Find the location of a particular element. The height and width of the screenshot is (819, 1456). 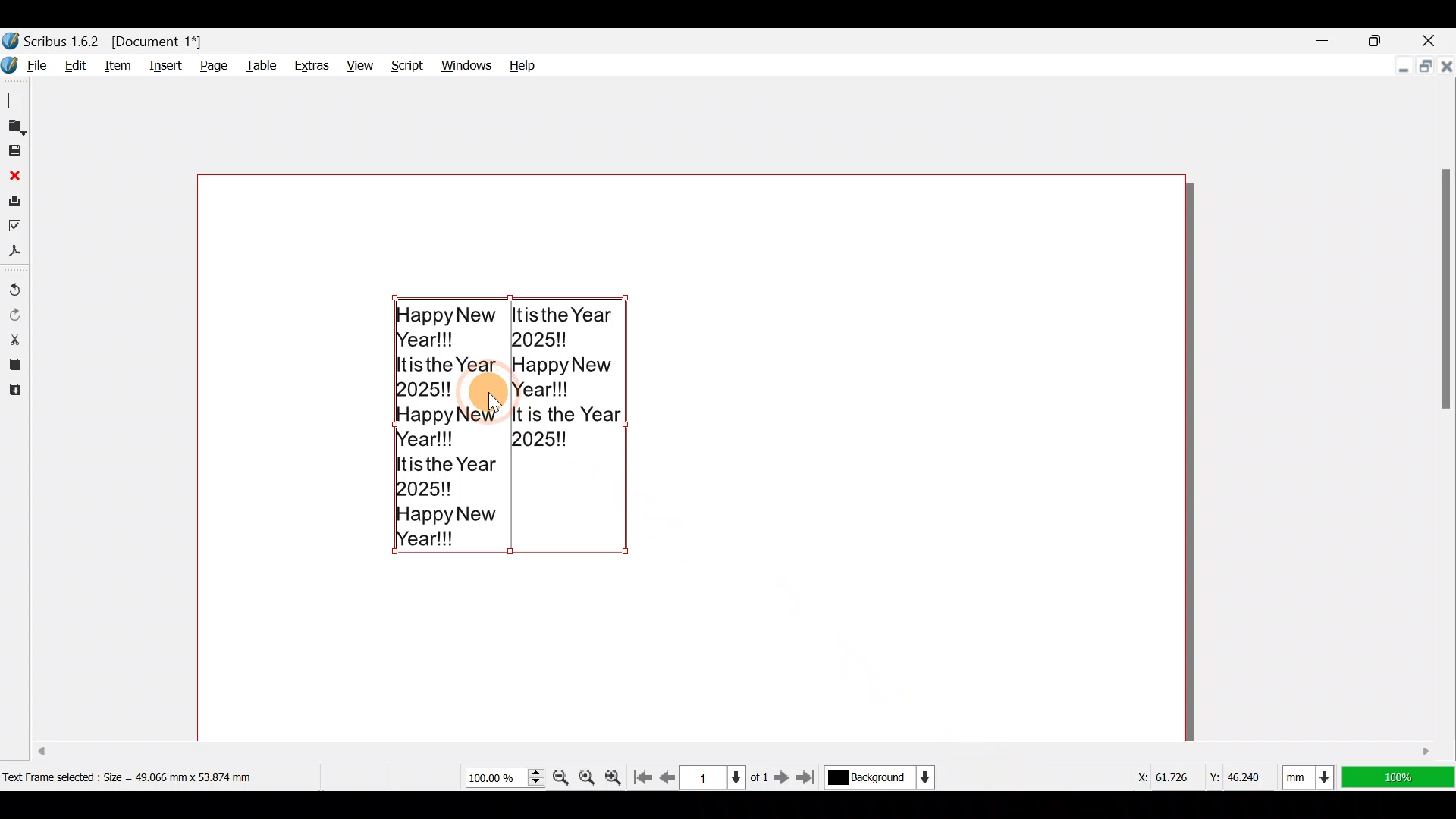

Current zoom level is located at coordinates (504, 778).